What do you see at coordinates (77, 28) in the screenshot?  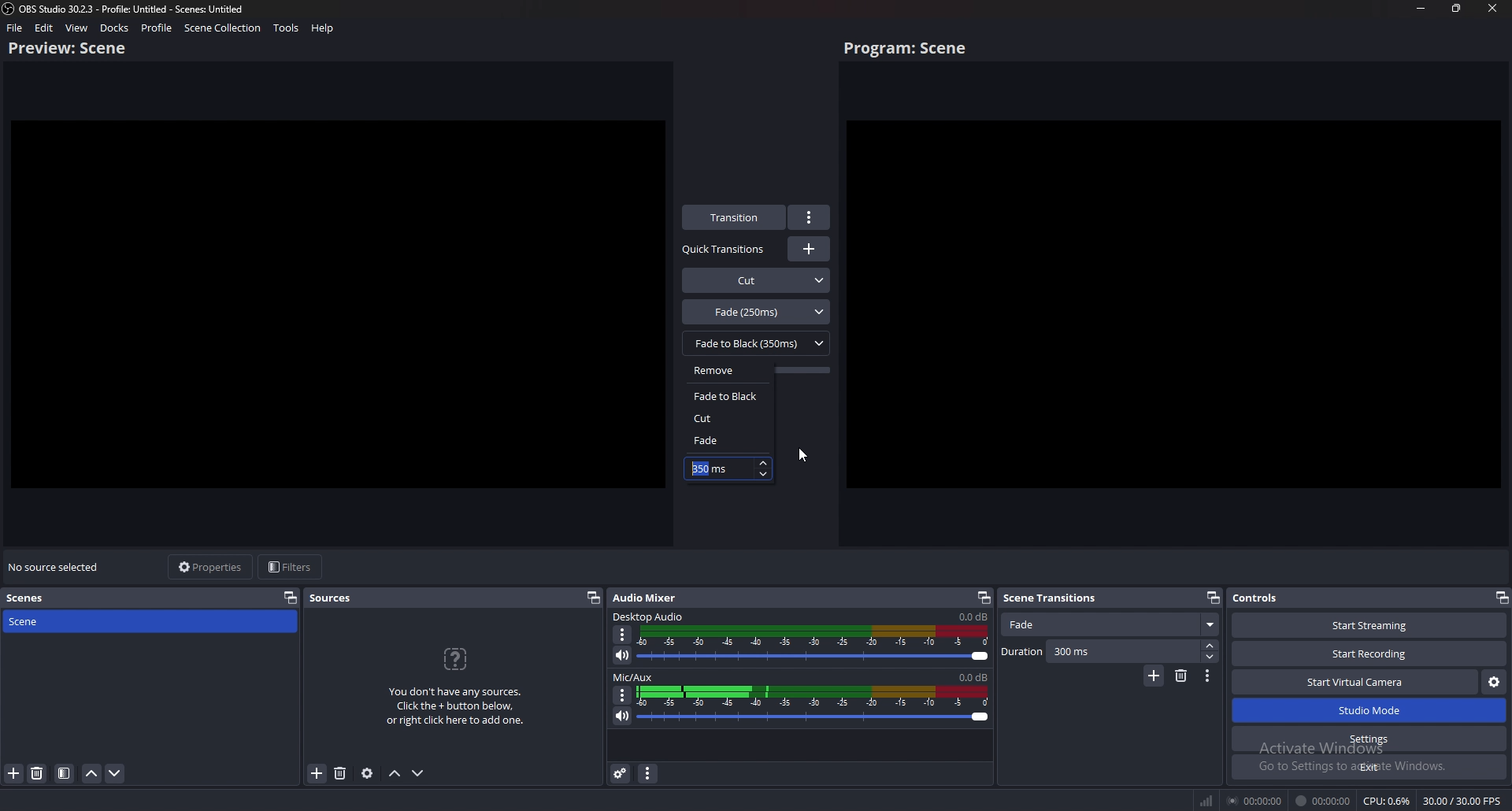 I see `view` at bounding box center [77, 28].